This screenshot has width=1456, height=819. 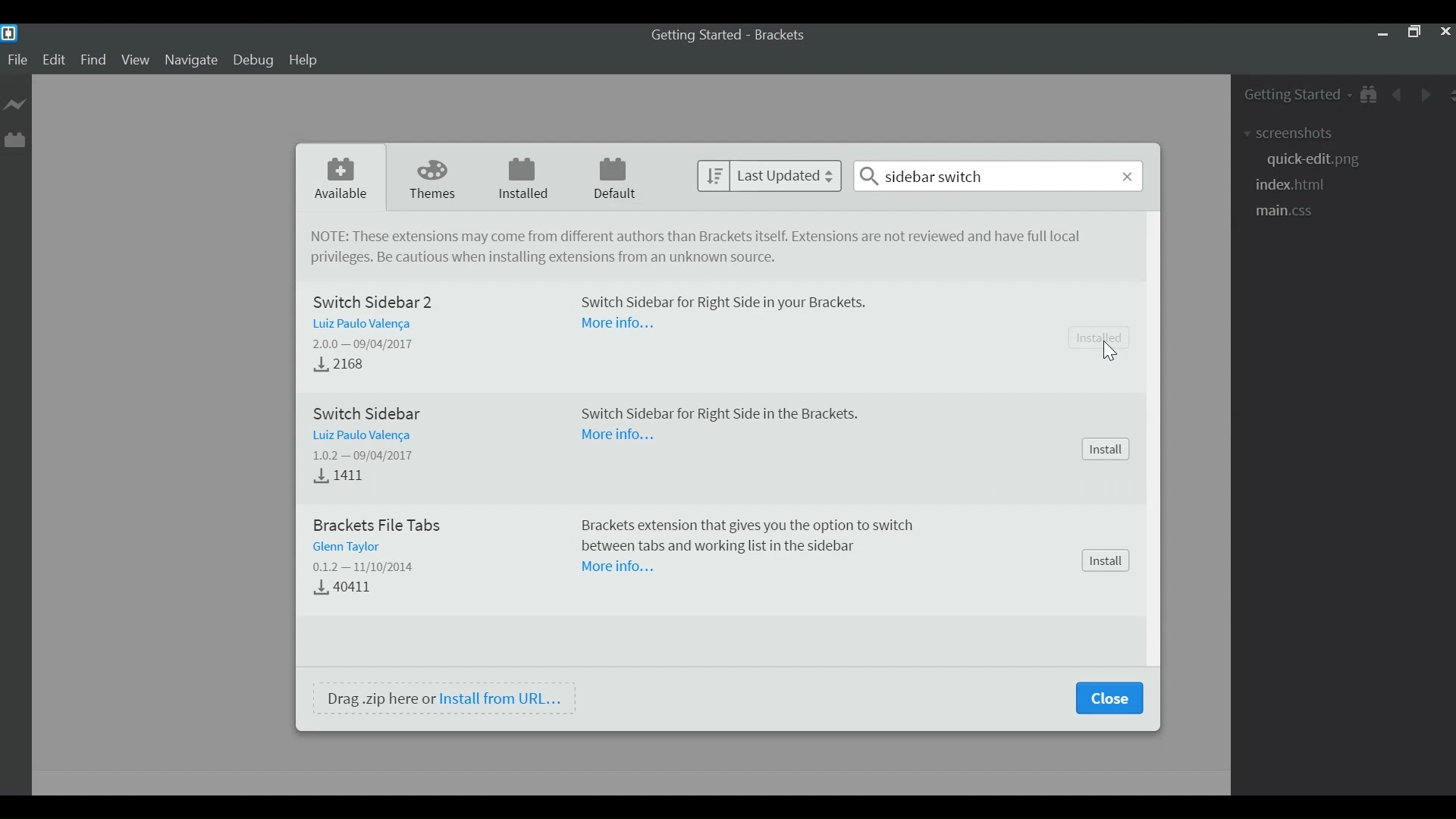 What do you see at coordinates (374, 413) in the screenshot?
I see `Switch Sidebar` at bounding box center [374, 413].